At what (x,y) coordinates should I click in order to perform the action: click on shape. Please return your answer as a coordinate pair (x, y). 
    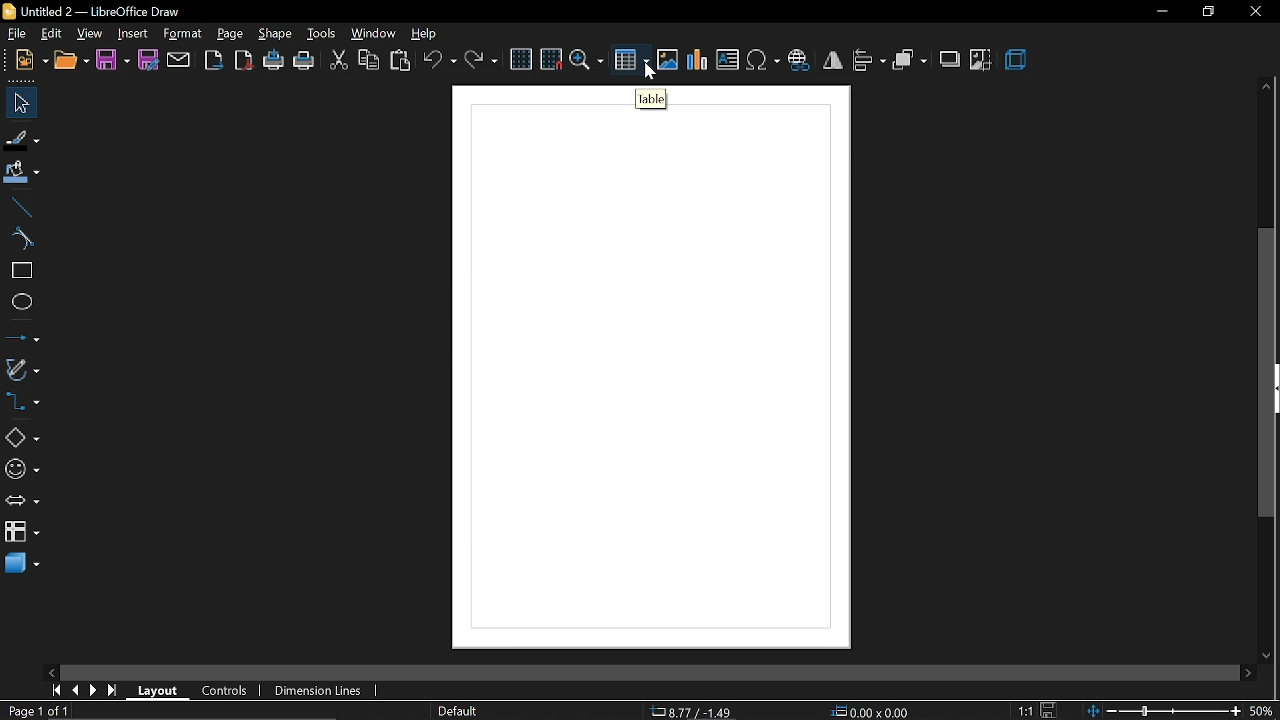
    Looking at the image, I should click on (275, 34).